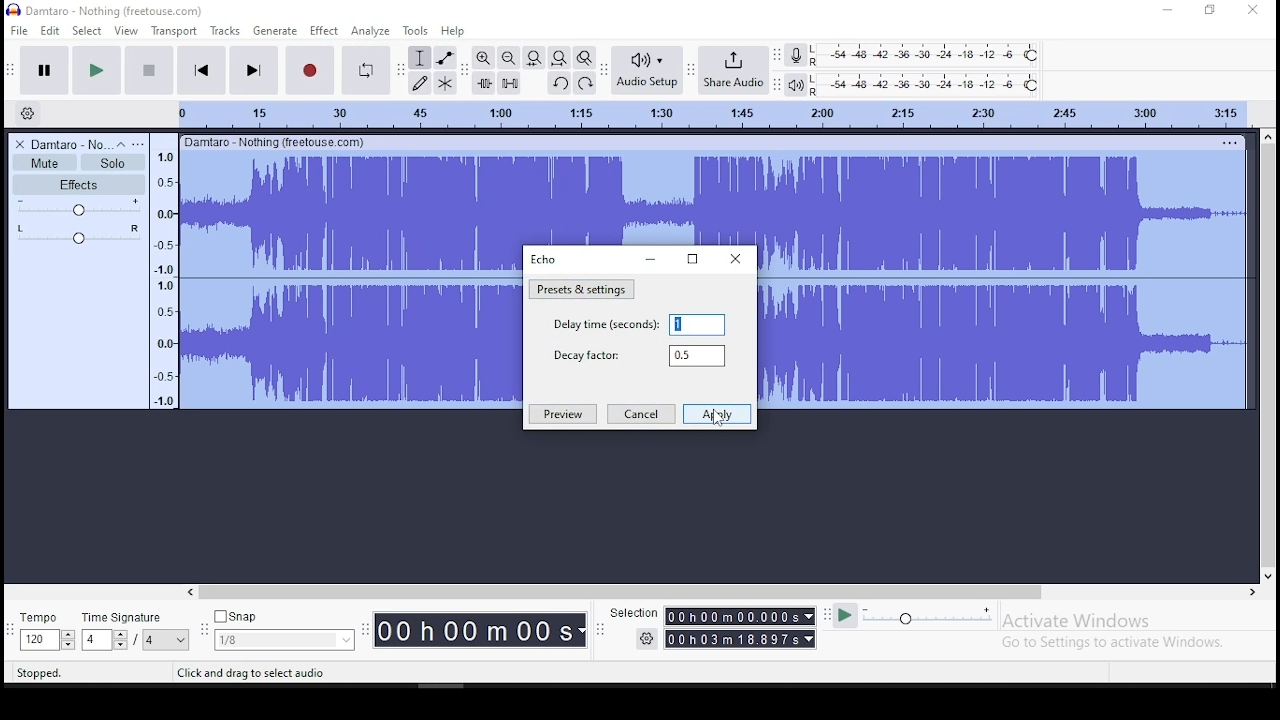 The width and height of the screenshot is (1280, 720). What do you see at coordinates (417, 31) in the screenshot?
I see `tools` at bounding box center [417, 31].